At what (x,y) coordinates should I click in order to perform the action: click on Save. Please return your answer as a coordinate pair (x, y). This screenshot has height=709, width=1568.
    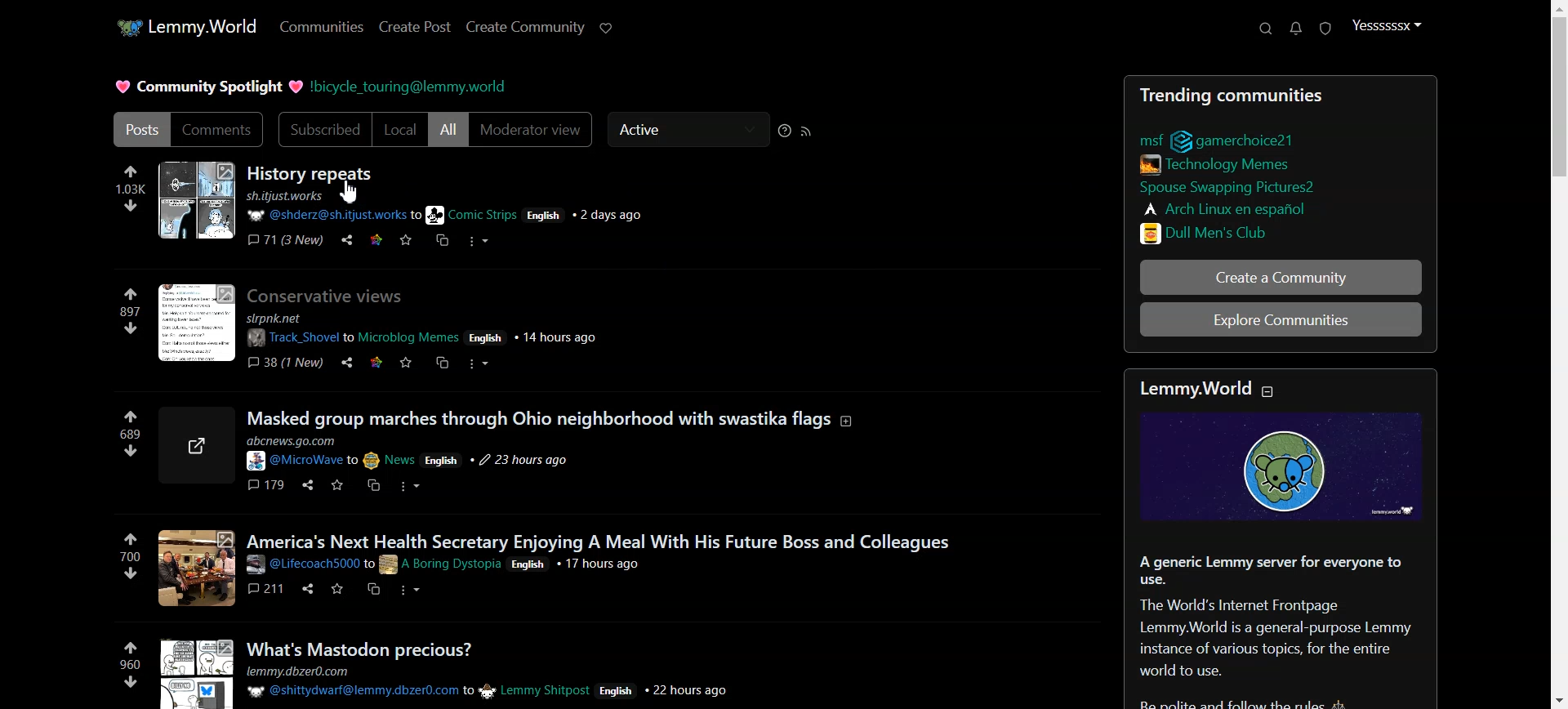
    Looking at the image, I should click on (407, 362).